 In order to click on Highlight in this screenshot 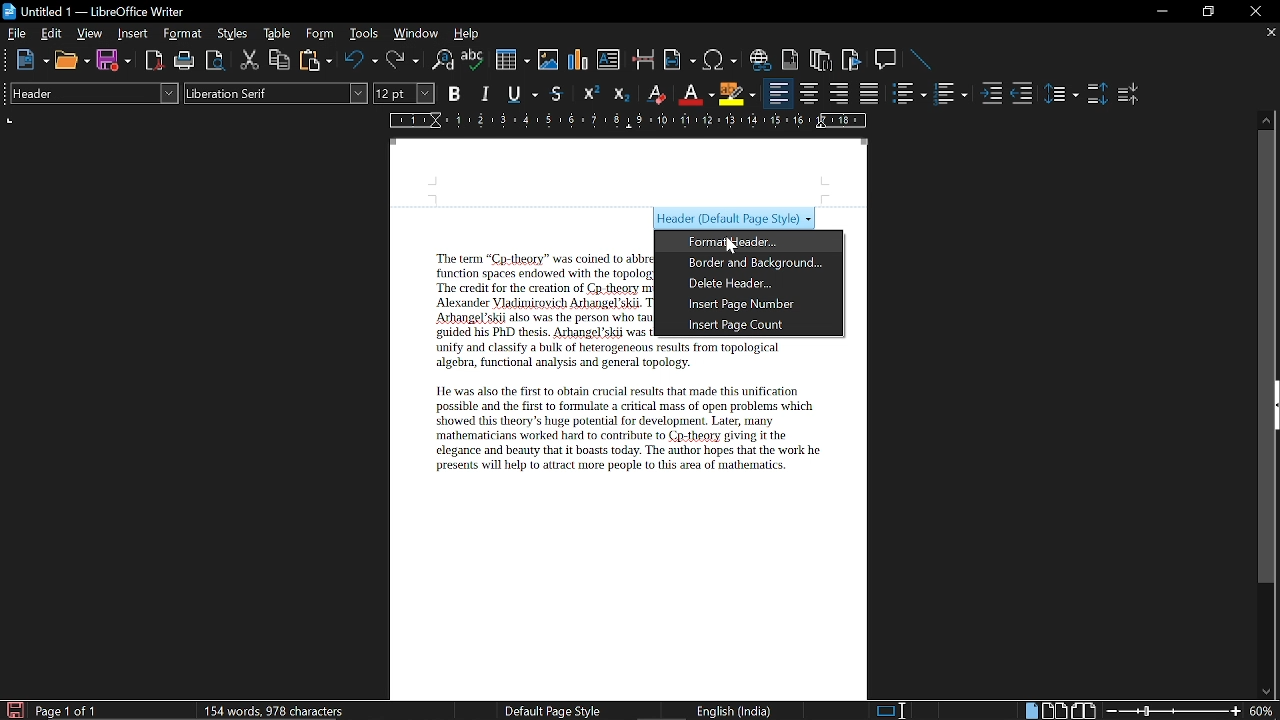, I will do `click(738, 93)`.